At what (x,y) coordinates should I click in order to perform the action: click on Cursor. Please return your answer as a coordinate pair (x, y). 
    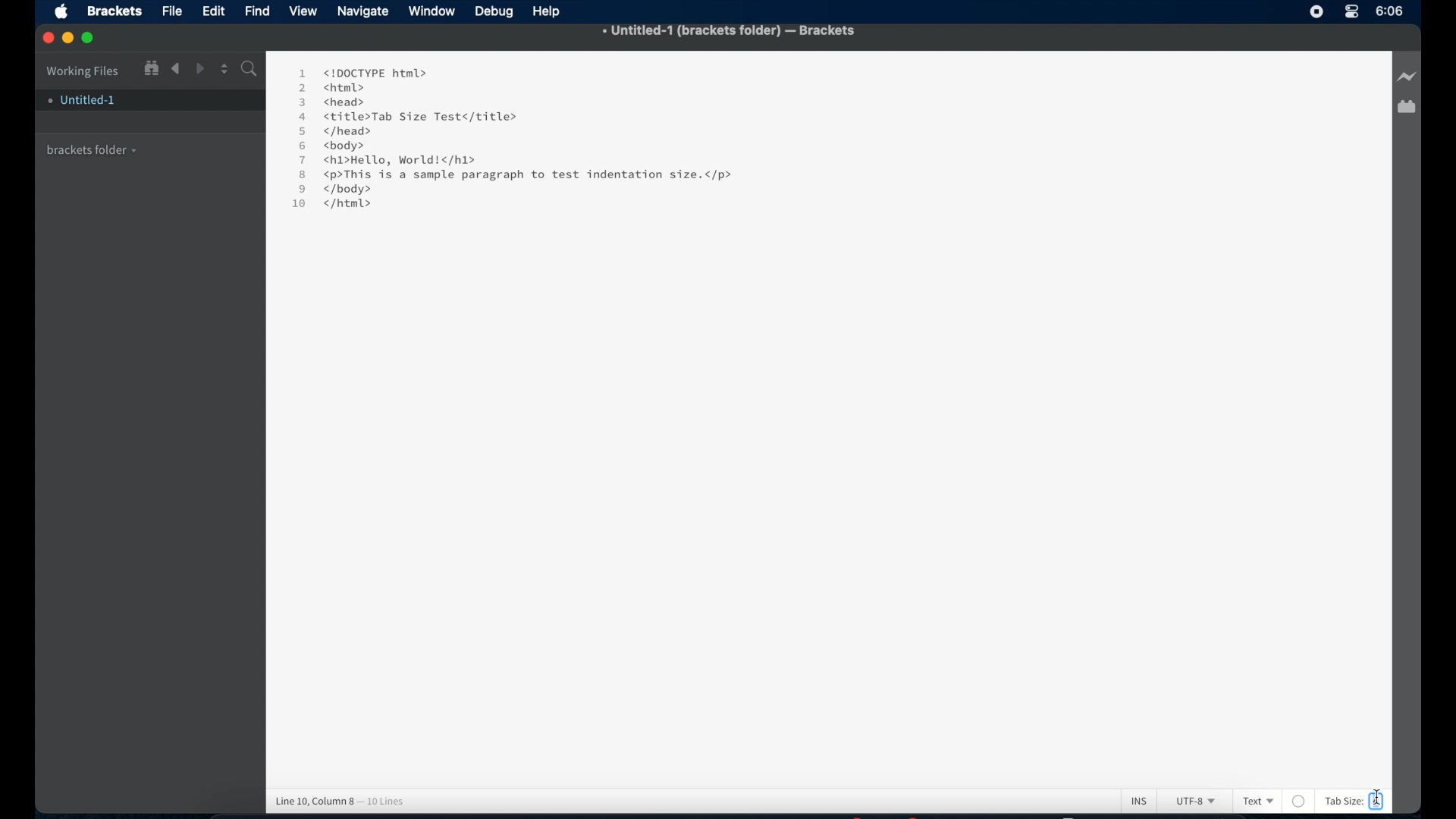
    Looking at the image, I should click on (1376, 800).